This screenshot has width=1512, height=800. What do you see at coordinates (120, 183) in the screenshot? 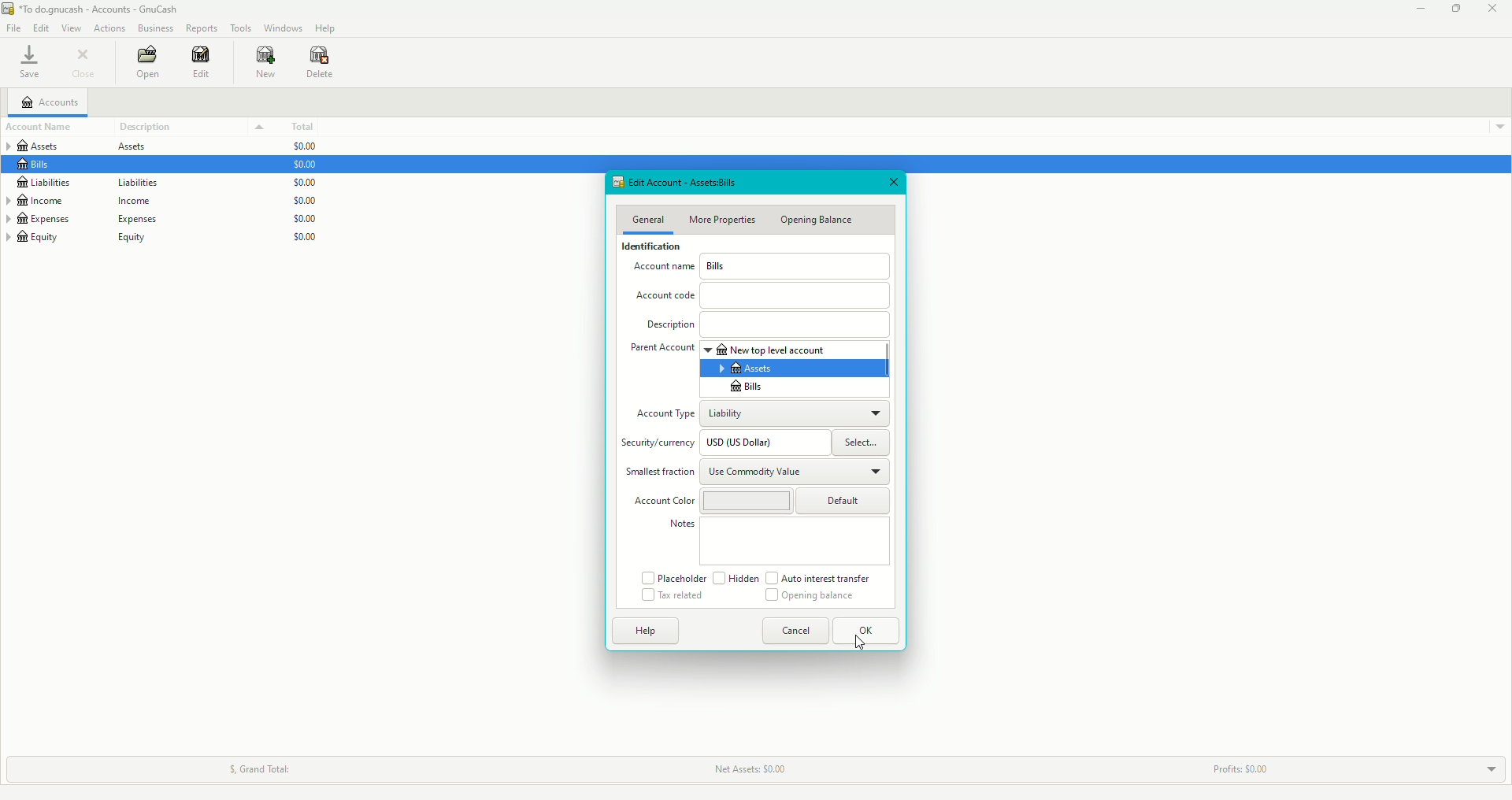
I see `Liabilities` at bounding box center [120, 183].